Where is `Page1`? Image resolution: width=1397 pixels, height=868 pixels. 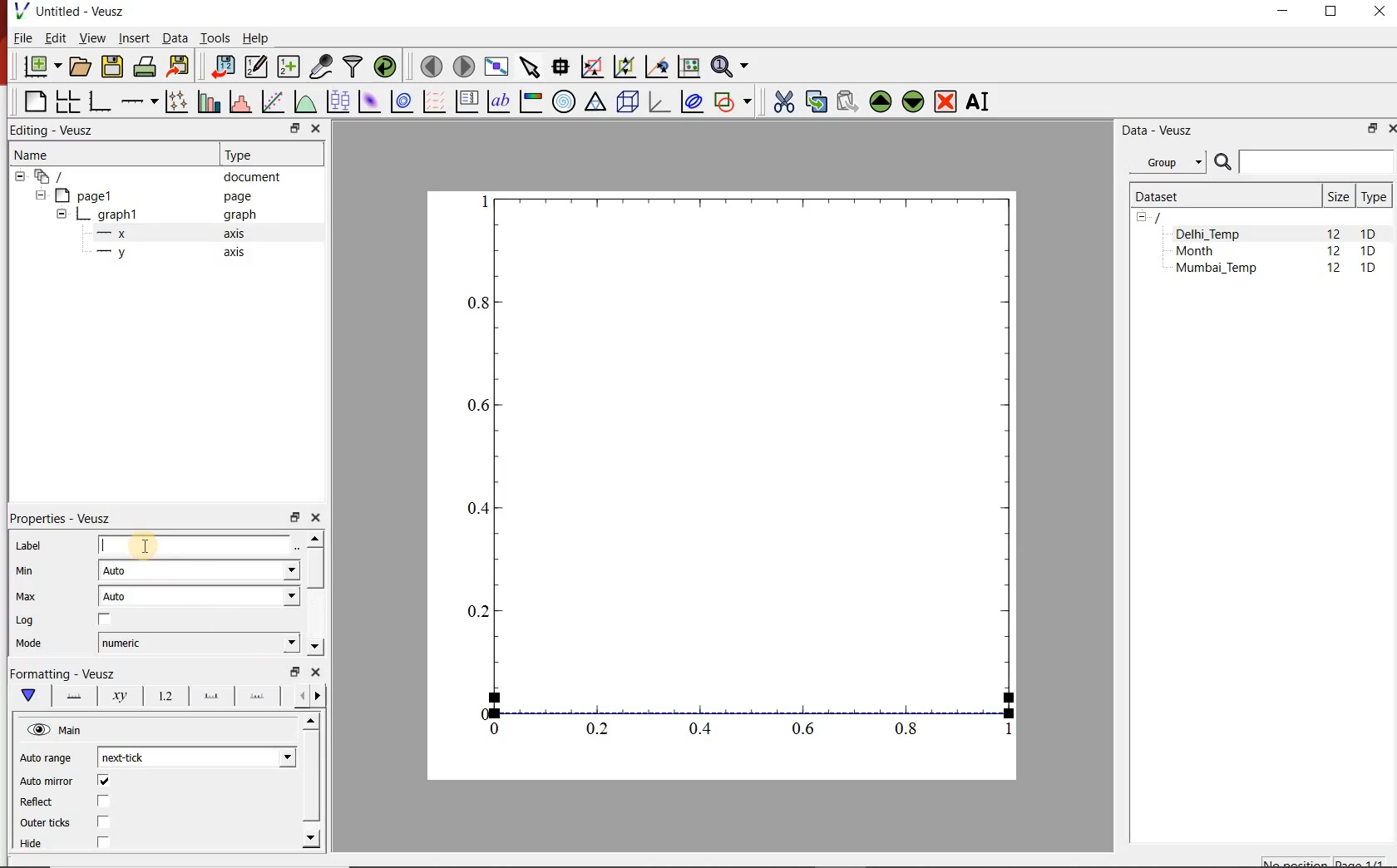
Page1 is located at coordinates (145, 195).